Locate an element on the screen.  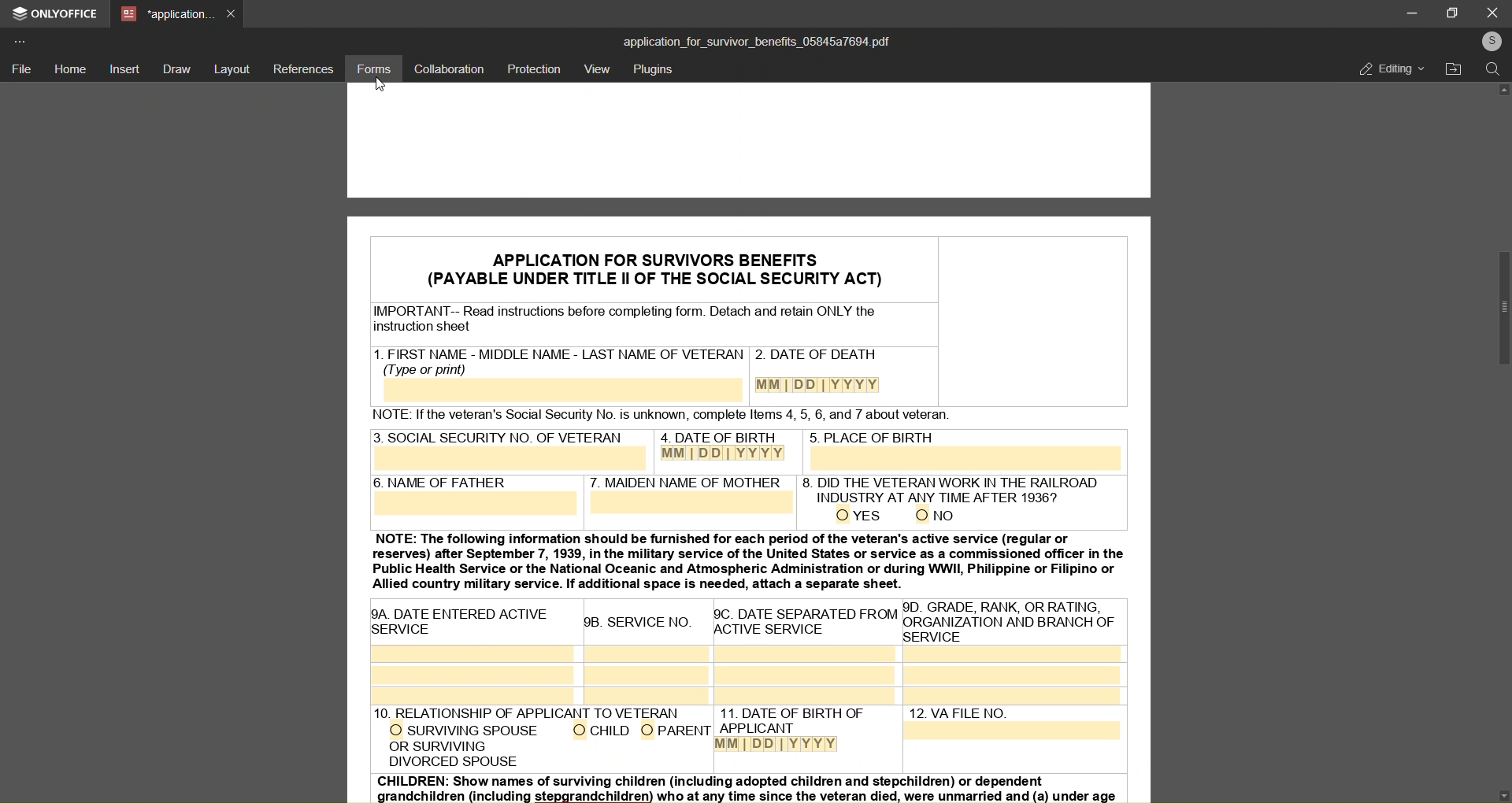
cursor is located at coordinates (382, 85).